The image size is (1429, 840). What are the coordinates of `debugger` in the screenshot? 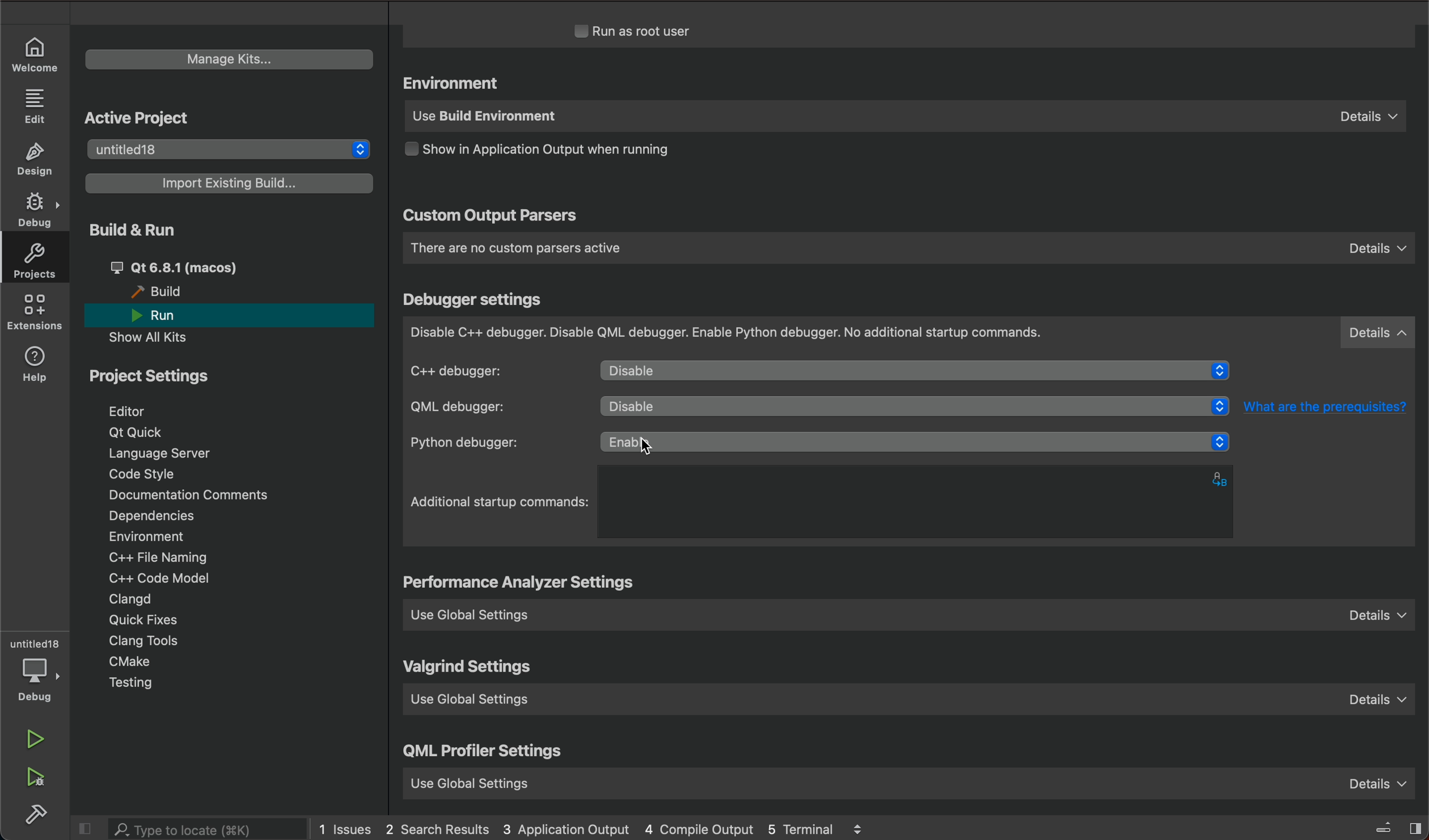 It's located at (910, 333).